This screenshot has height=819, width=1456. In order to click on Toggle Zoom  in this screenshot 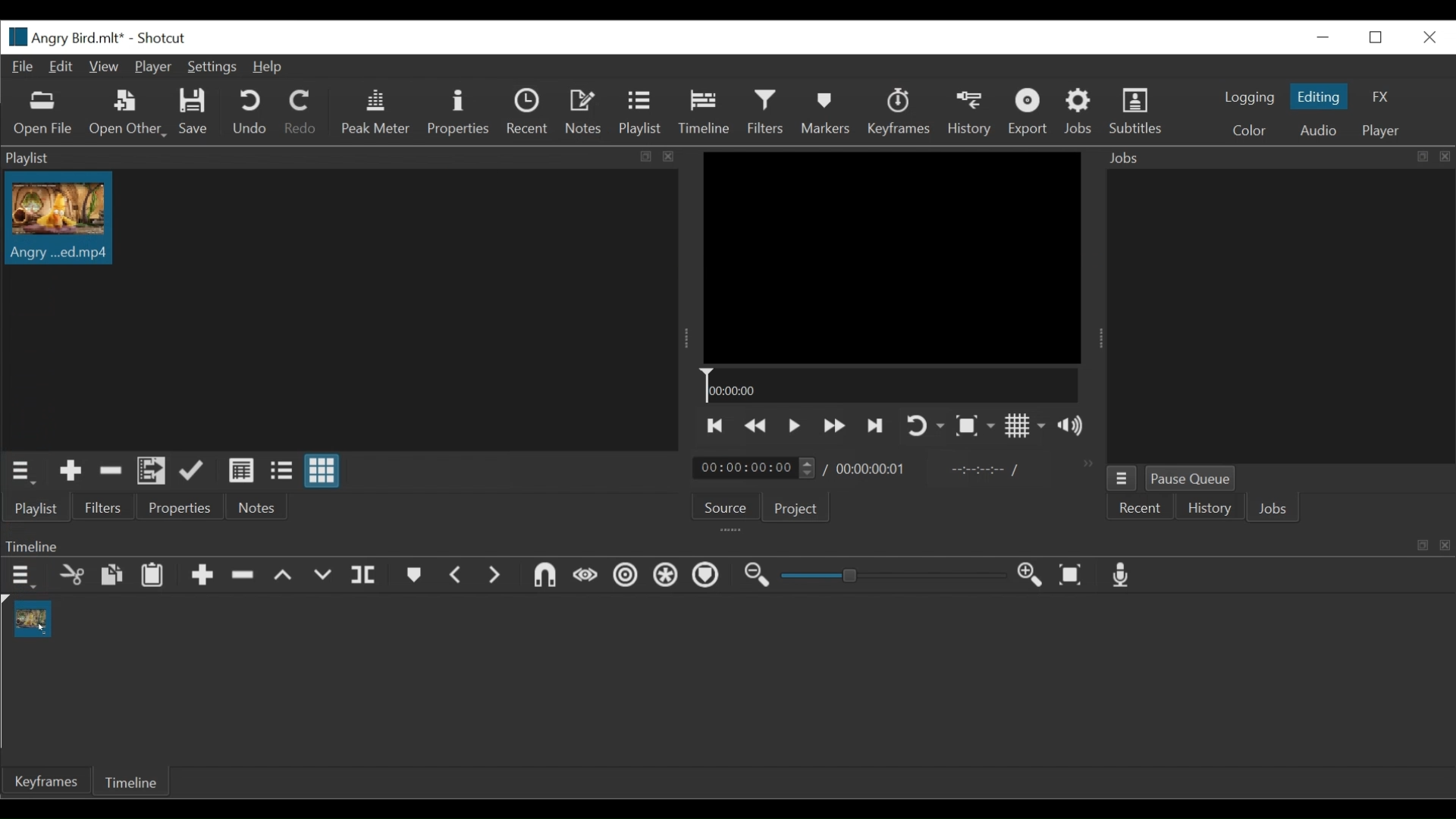, I will do `click(975, 425)`.